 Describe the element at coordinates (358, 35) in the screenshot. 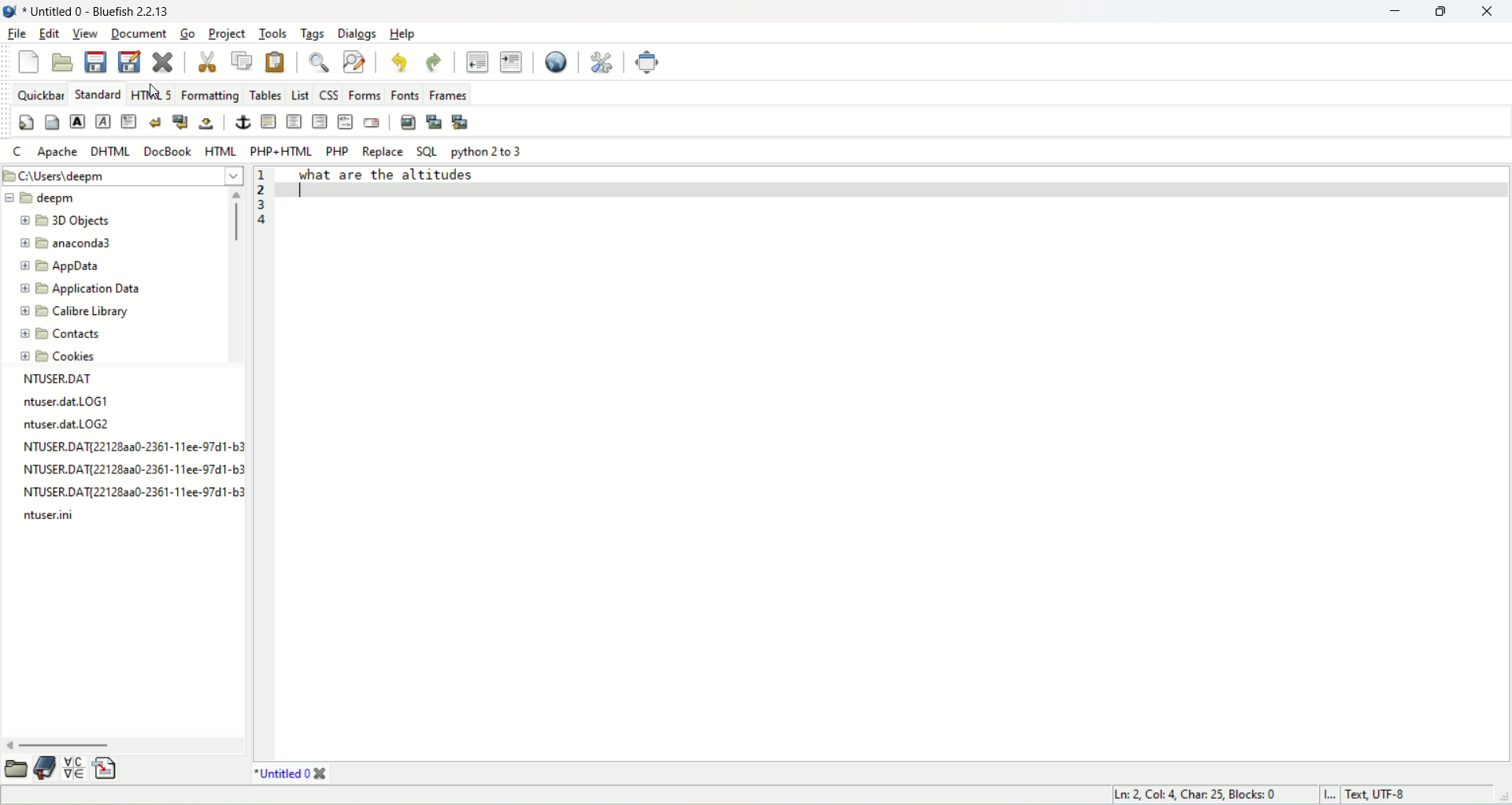

I see `dialogs` at that location.